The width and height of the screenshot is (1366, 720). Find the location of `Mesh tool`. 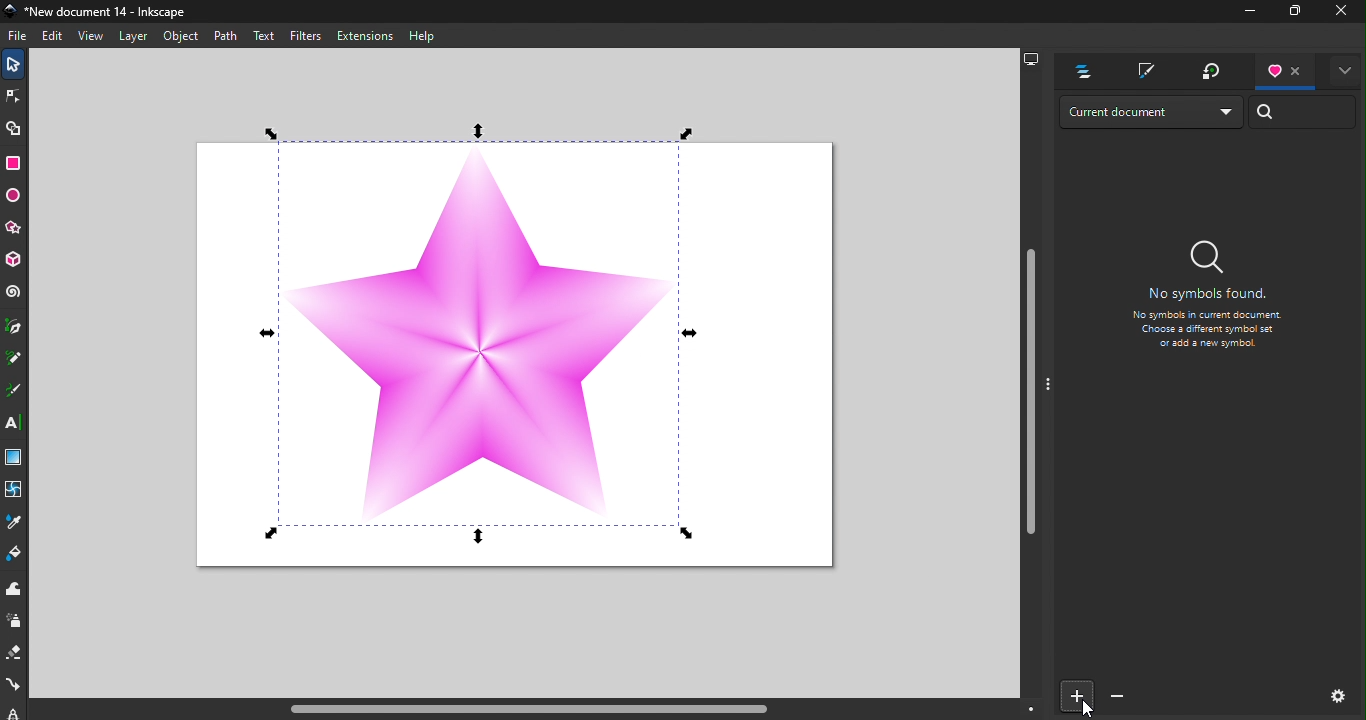

Mesh tool is located at coordinates (13, 490).